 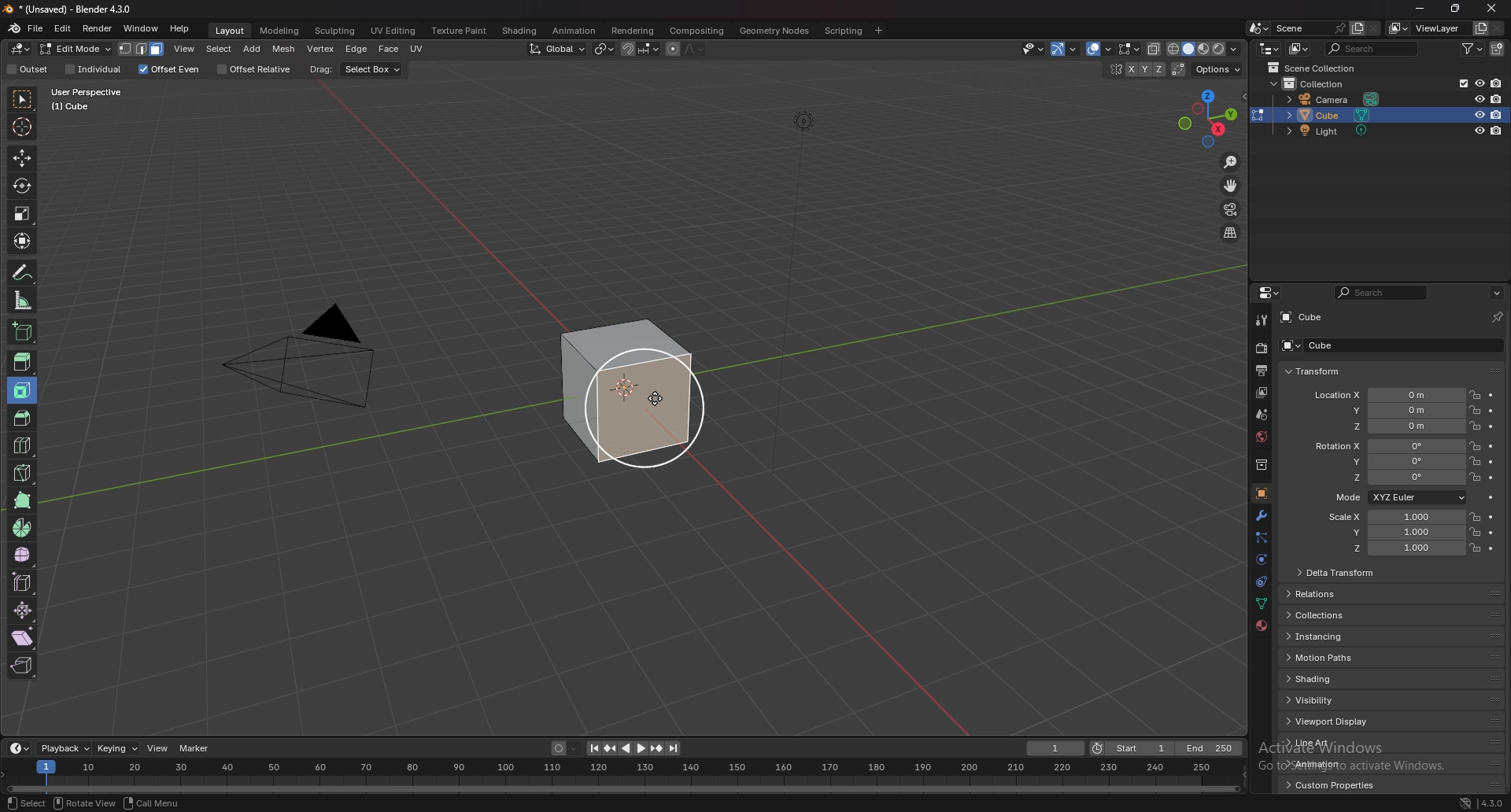 What do you see at coordinates (28, 69) in the screenshot?
I see `outset` at bounding box center [28, 69].